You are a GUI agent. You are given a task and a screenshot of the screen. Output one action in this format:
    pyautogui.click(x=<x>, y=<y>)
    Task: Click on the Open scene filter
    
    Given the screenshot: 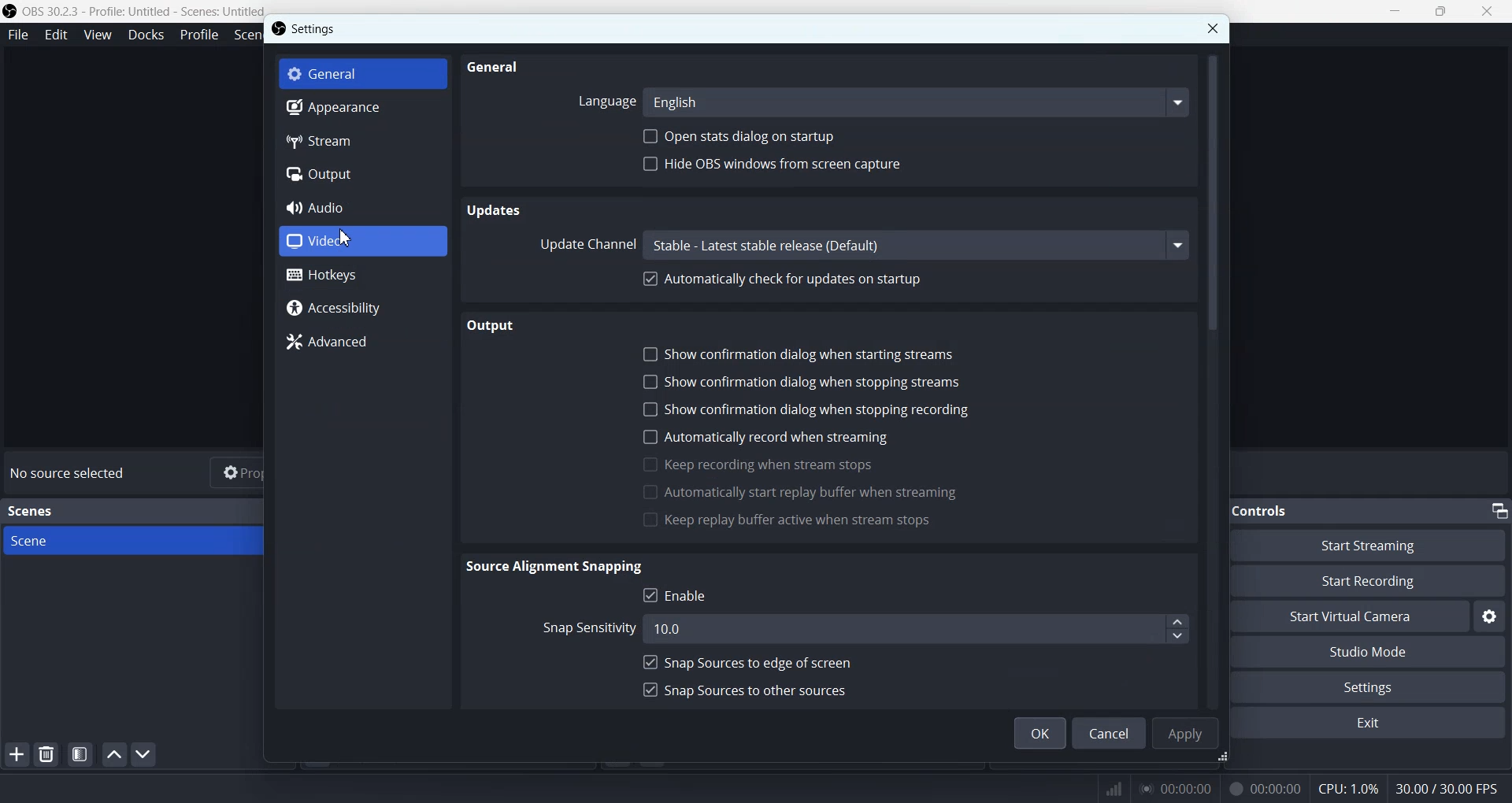 What is the action you would take?
    pyautogui.click(x=80, y=754)
    